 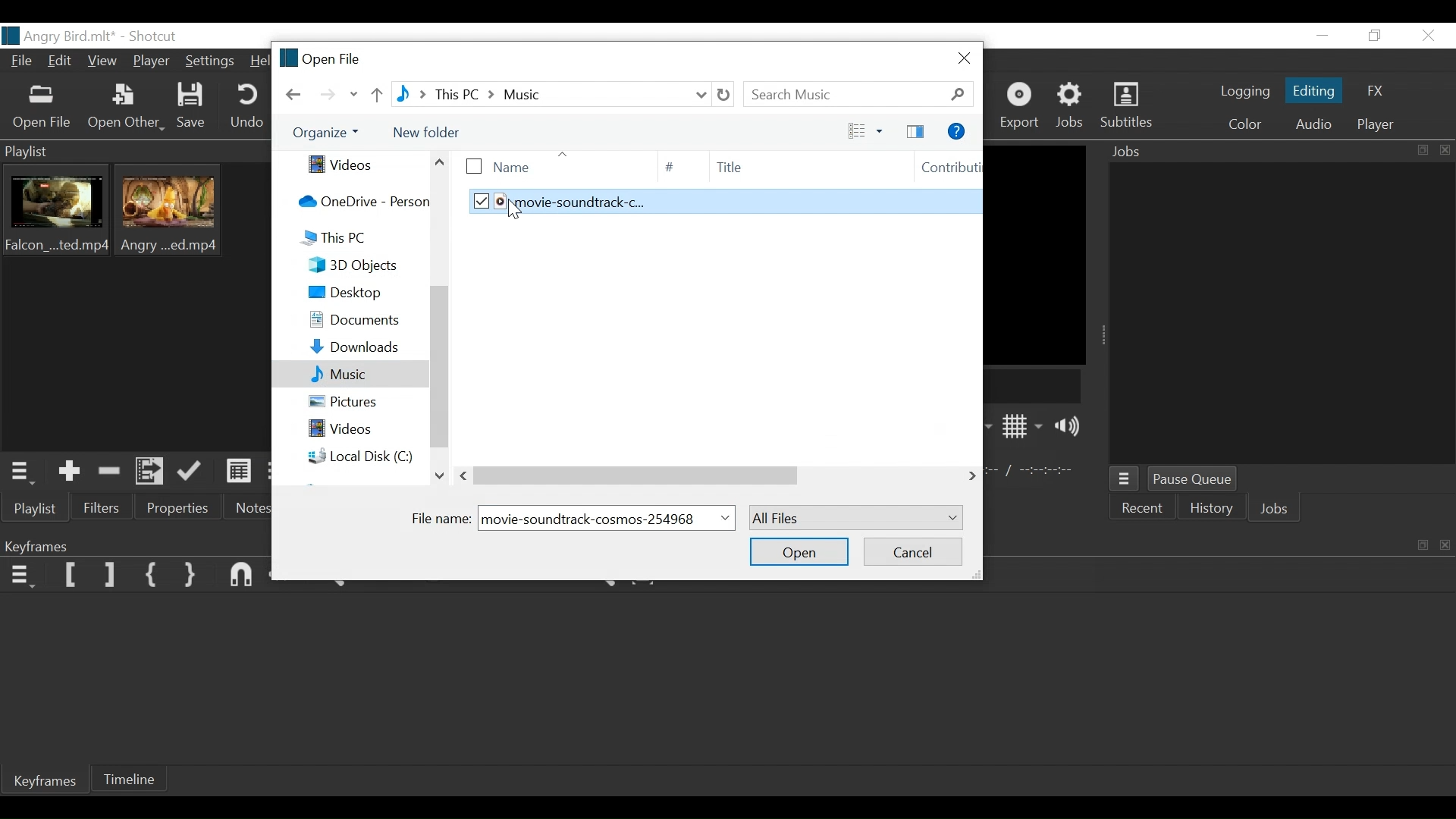 I want to click on View as detail, so click(x=236, y=474).